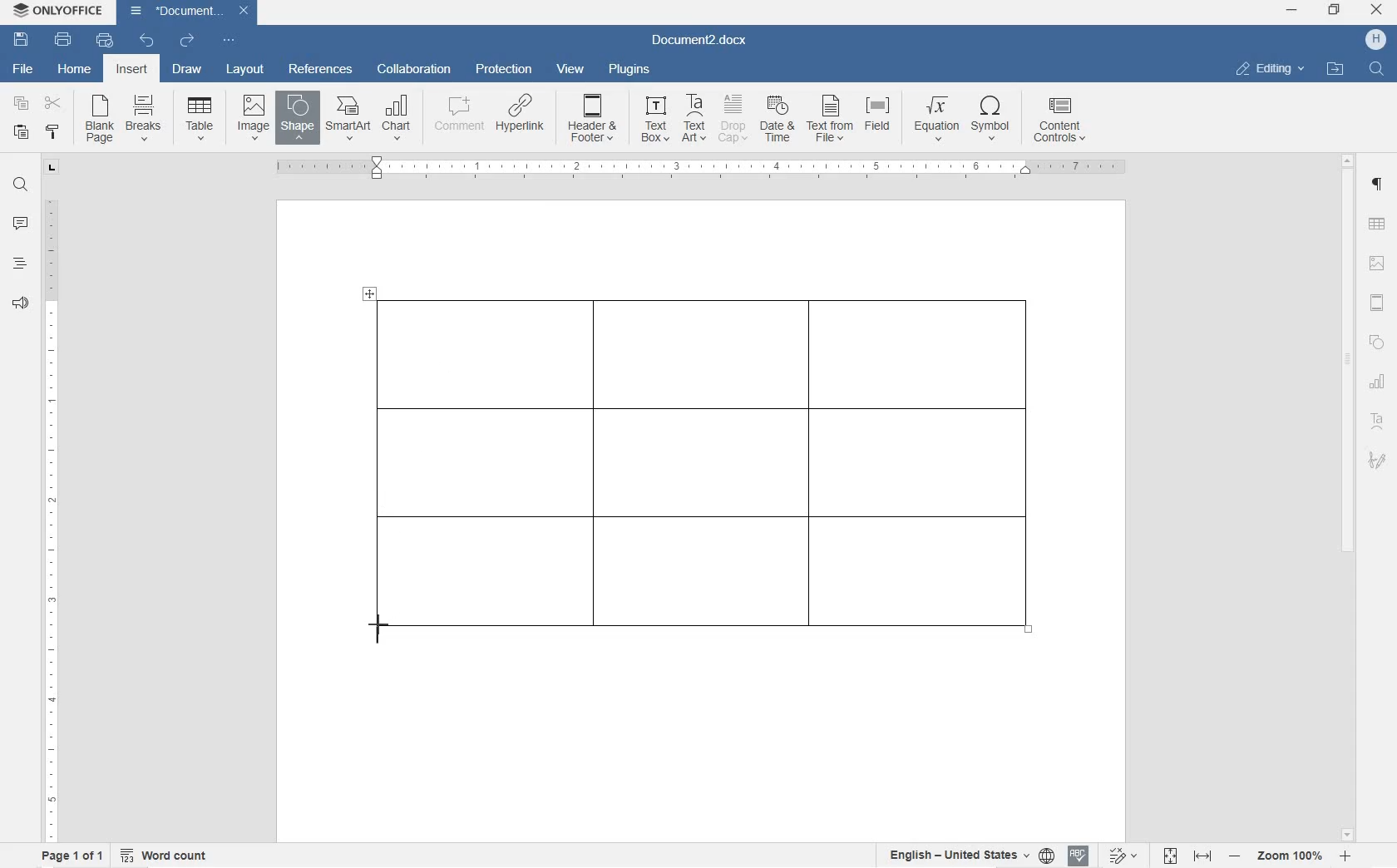 Image resolution: width=1397 pixels, height=868 pixels. I want to click on file, so click(26, 71).